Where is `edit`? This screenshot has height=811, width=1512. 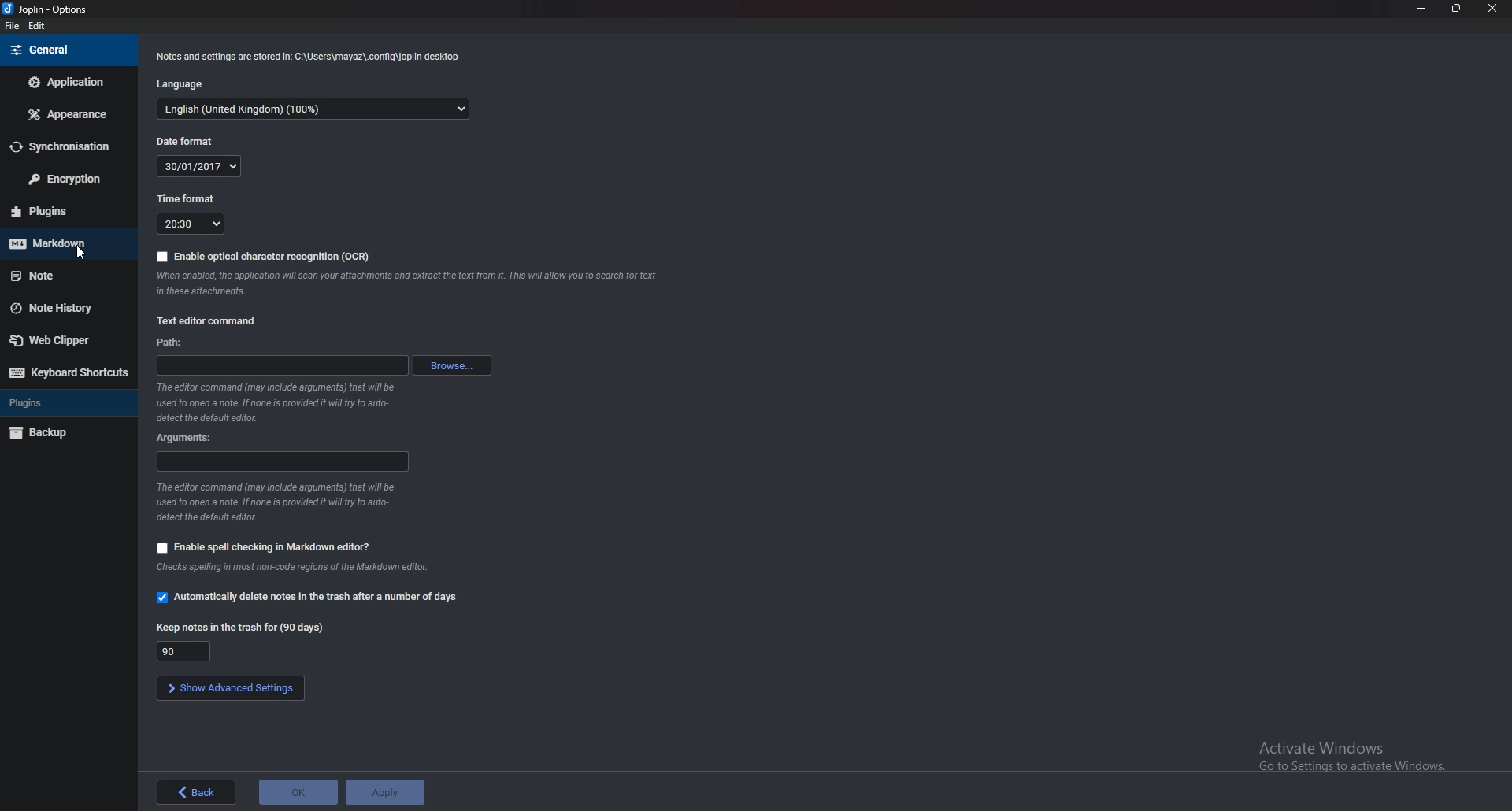
edit is located at coordinates (39, 25).